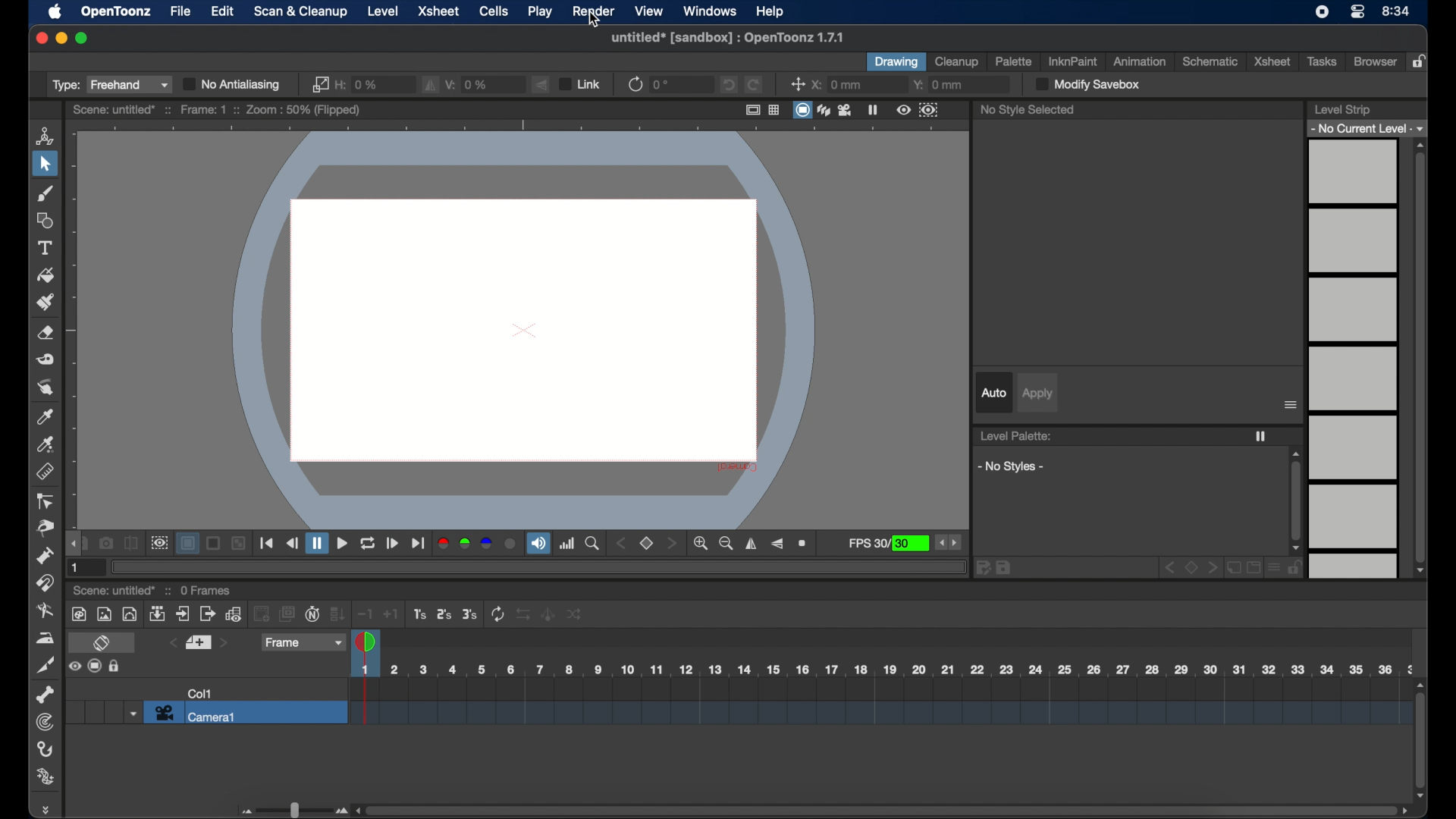 The image size is (1456, 819). What do you see at coordinates (45, 695) in the screenshot?
I see `skeleton tool` at bounding box center [45, 695].